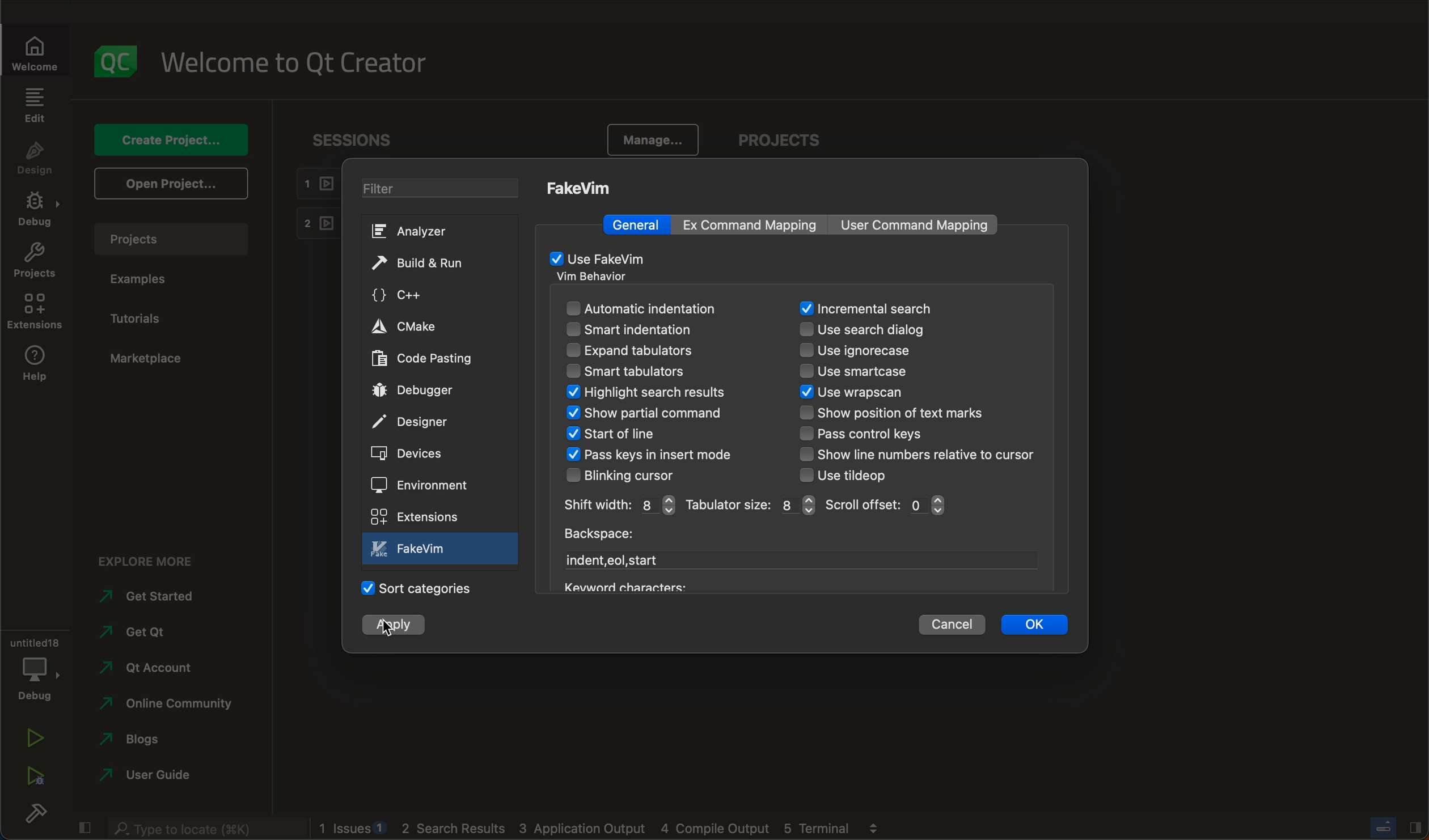  I want to click on explore, so click(153, 562).